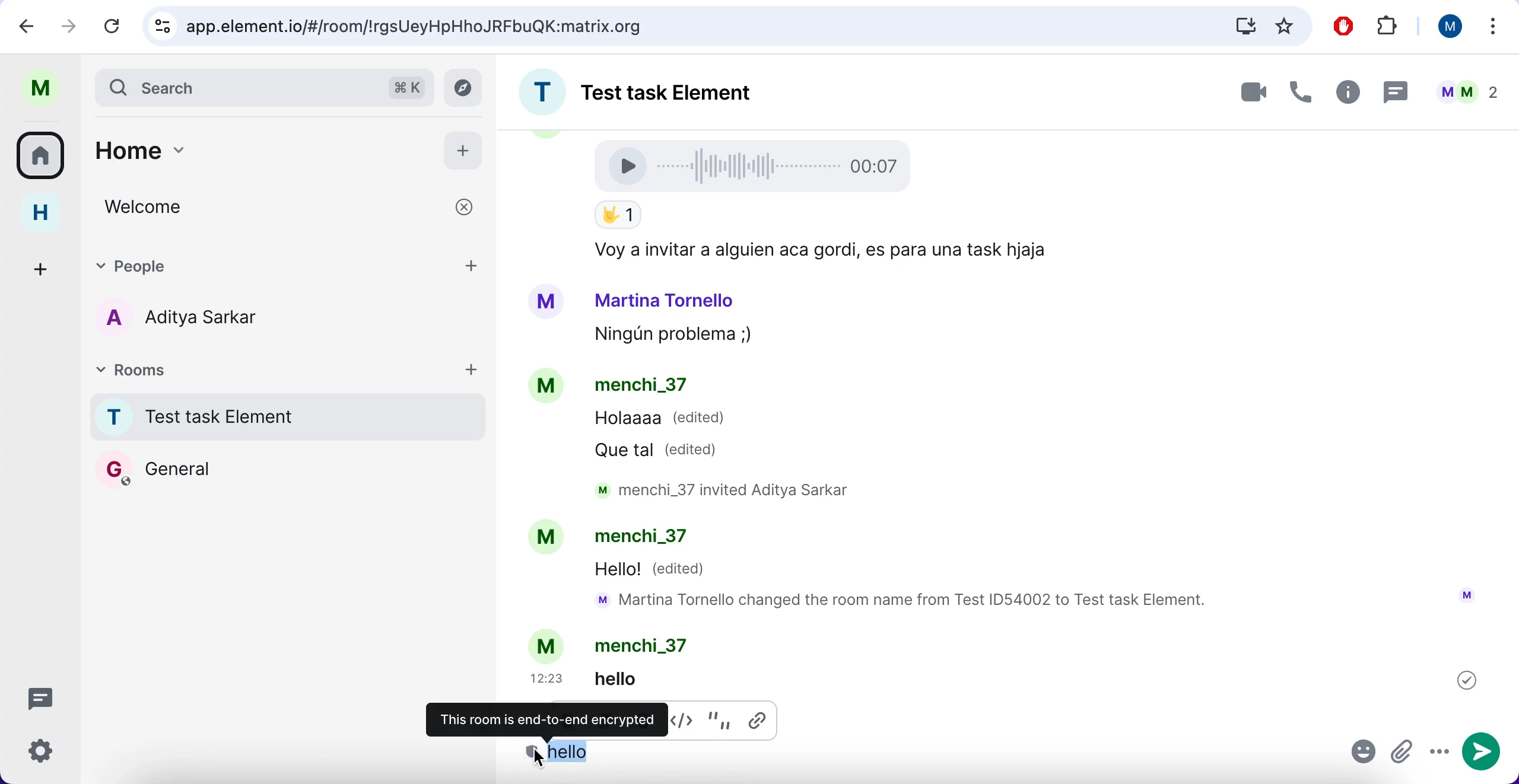  I want to click on ad block, so click(1350, 27).